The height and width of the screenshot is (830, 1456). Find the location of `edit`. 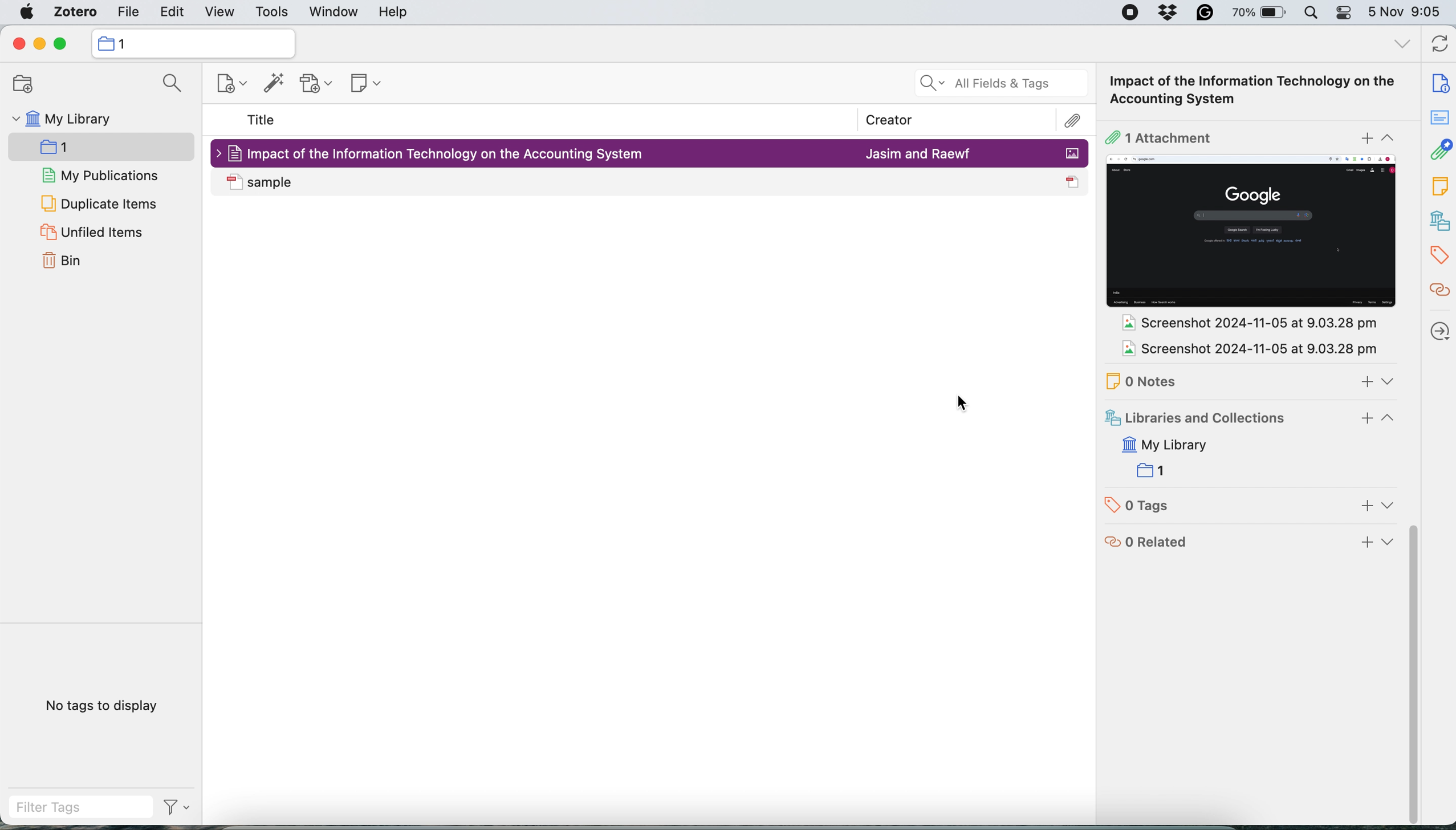

edit is located at coordinates (173, 14).